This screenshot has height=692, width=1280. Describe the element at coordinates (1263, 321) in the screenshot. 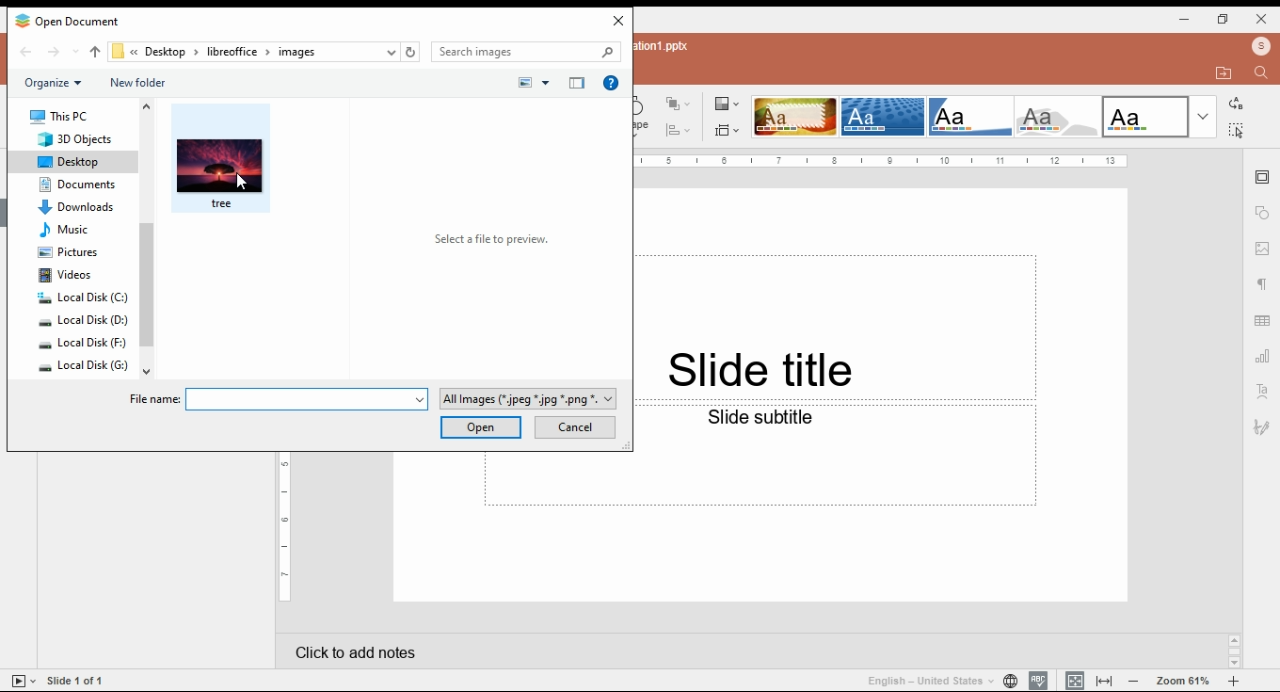

I see `table  settings` at that location.